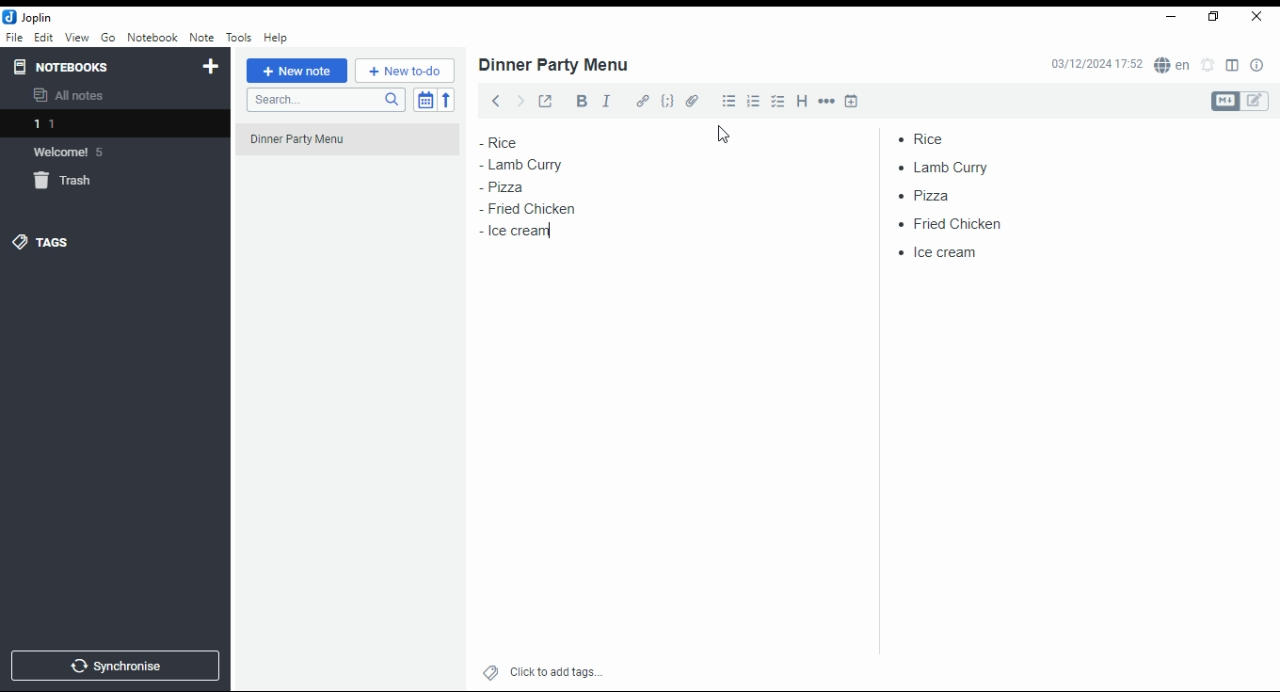 Image resolution: width=1280 pixels, height=692 pixels. What do you see at coordinates (851, 100) in the screenshot?
I see `insert time` at bounding box center [851, 100].